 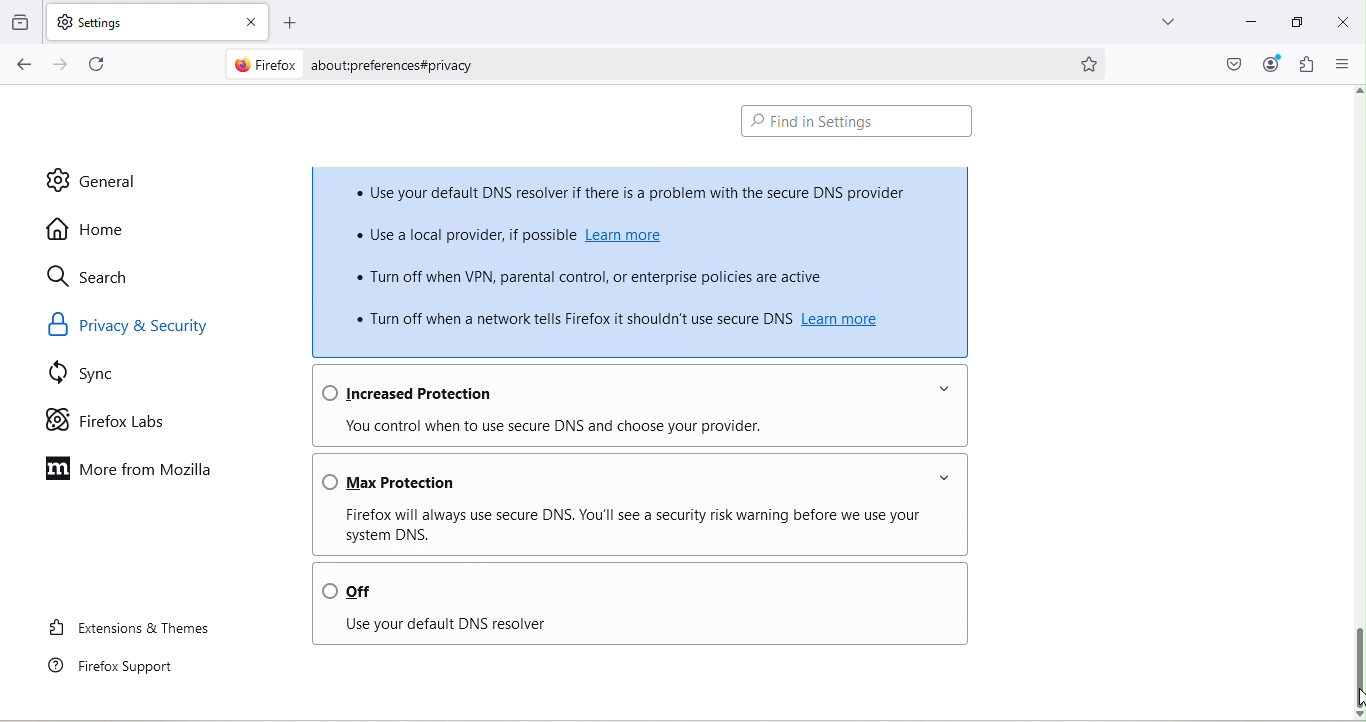 What do you see at coordinates (119, 667) in the screenshot?
I see `Firefox support` at bounding box center [119, 667].